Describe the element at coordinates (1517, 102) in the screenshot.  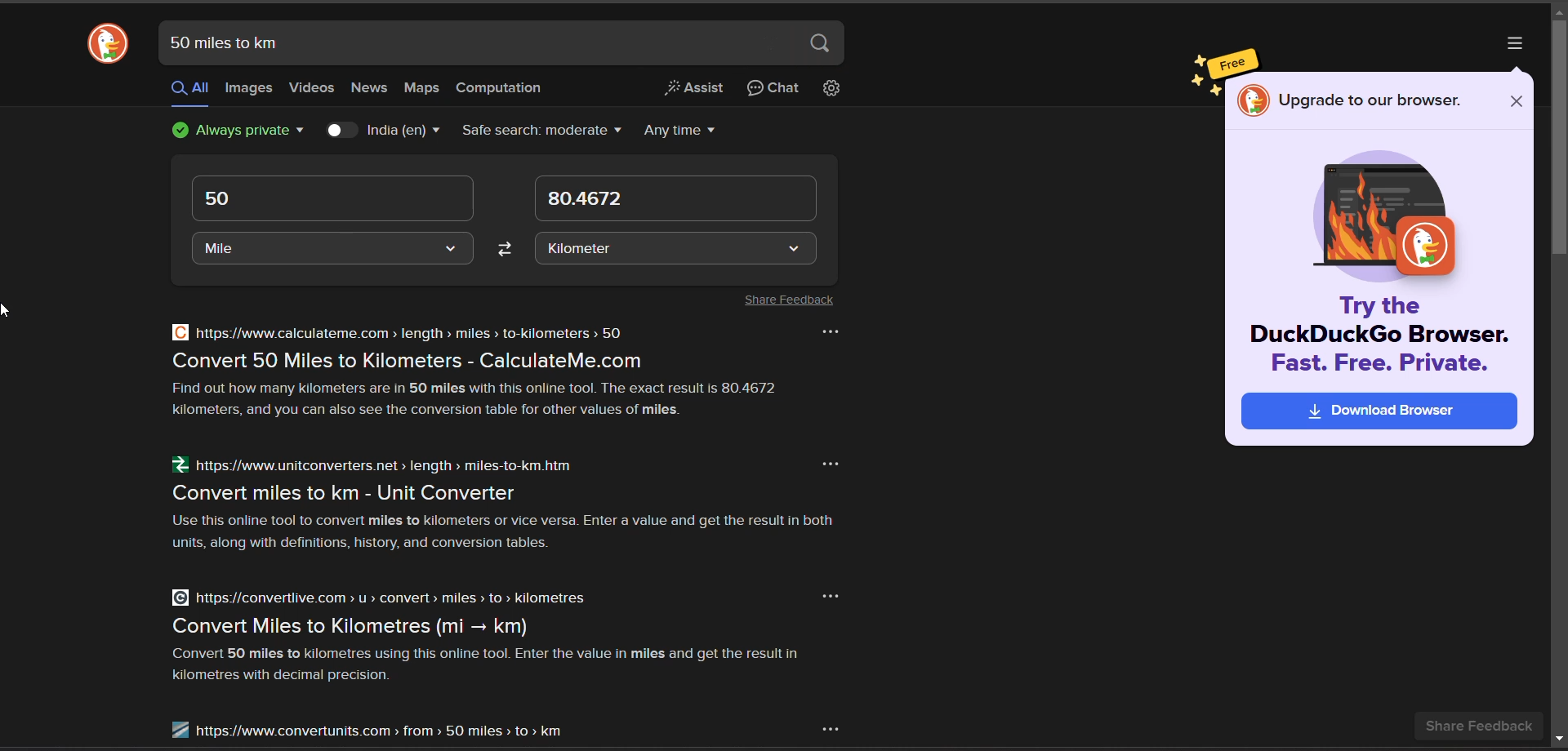
I see `close` at that location.